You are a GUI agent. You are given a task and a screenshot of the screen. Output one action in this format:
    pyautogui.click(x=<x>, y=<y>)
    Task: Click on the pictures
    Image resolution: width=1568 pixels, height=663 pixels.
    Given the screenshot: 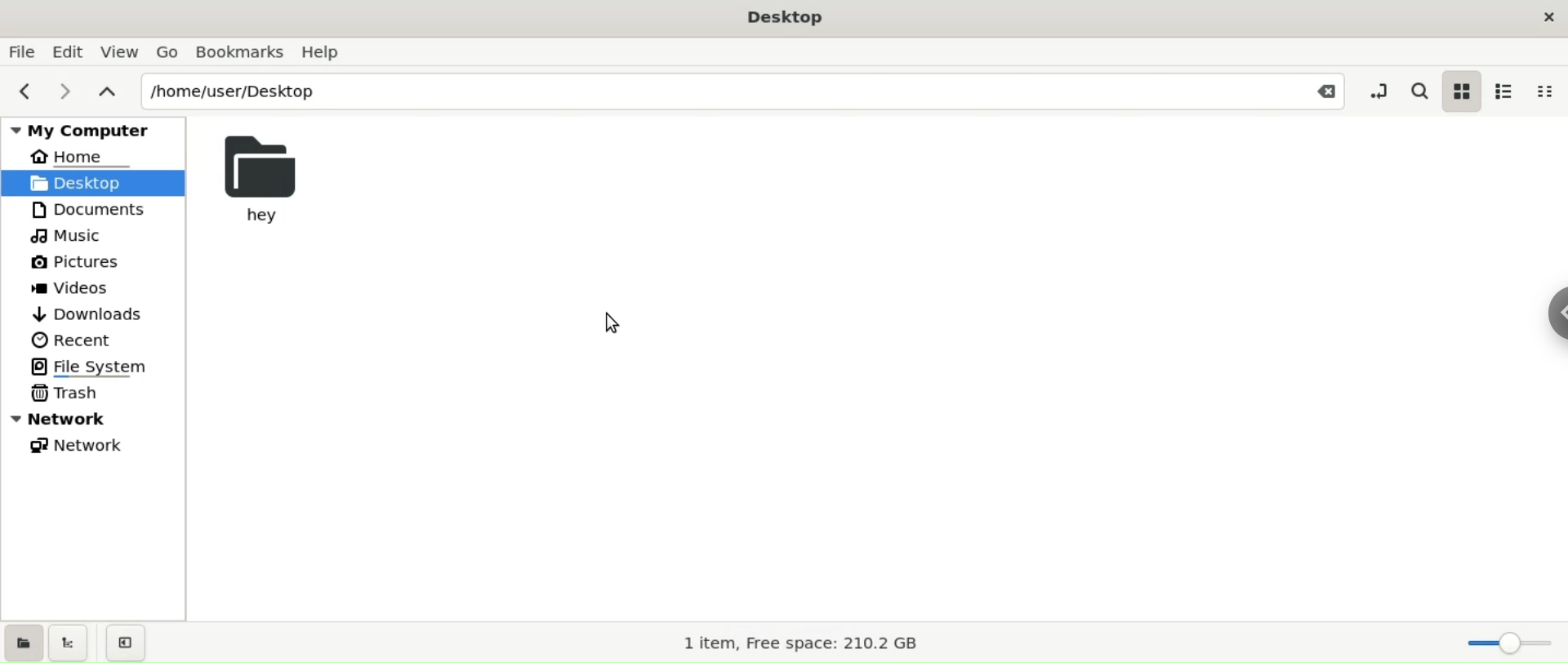 What is the action you would take?
    pyautogui.click(x=78, y=264)
    